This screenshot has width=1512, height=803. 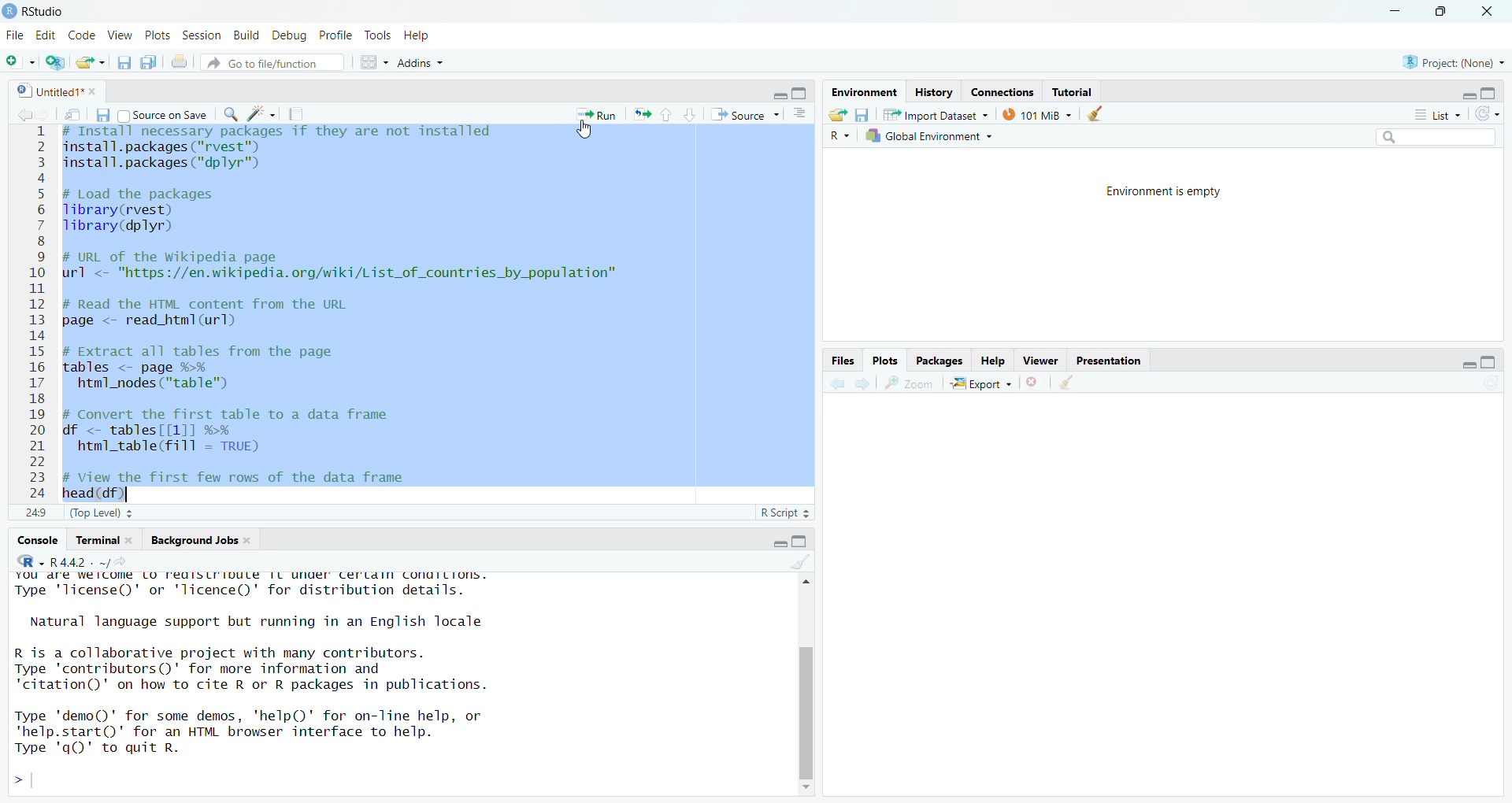 What do you see at coordinates (419, 37) in the screenshot?
I see `Help` at bounding box center [419, 37].